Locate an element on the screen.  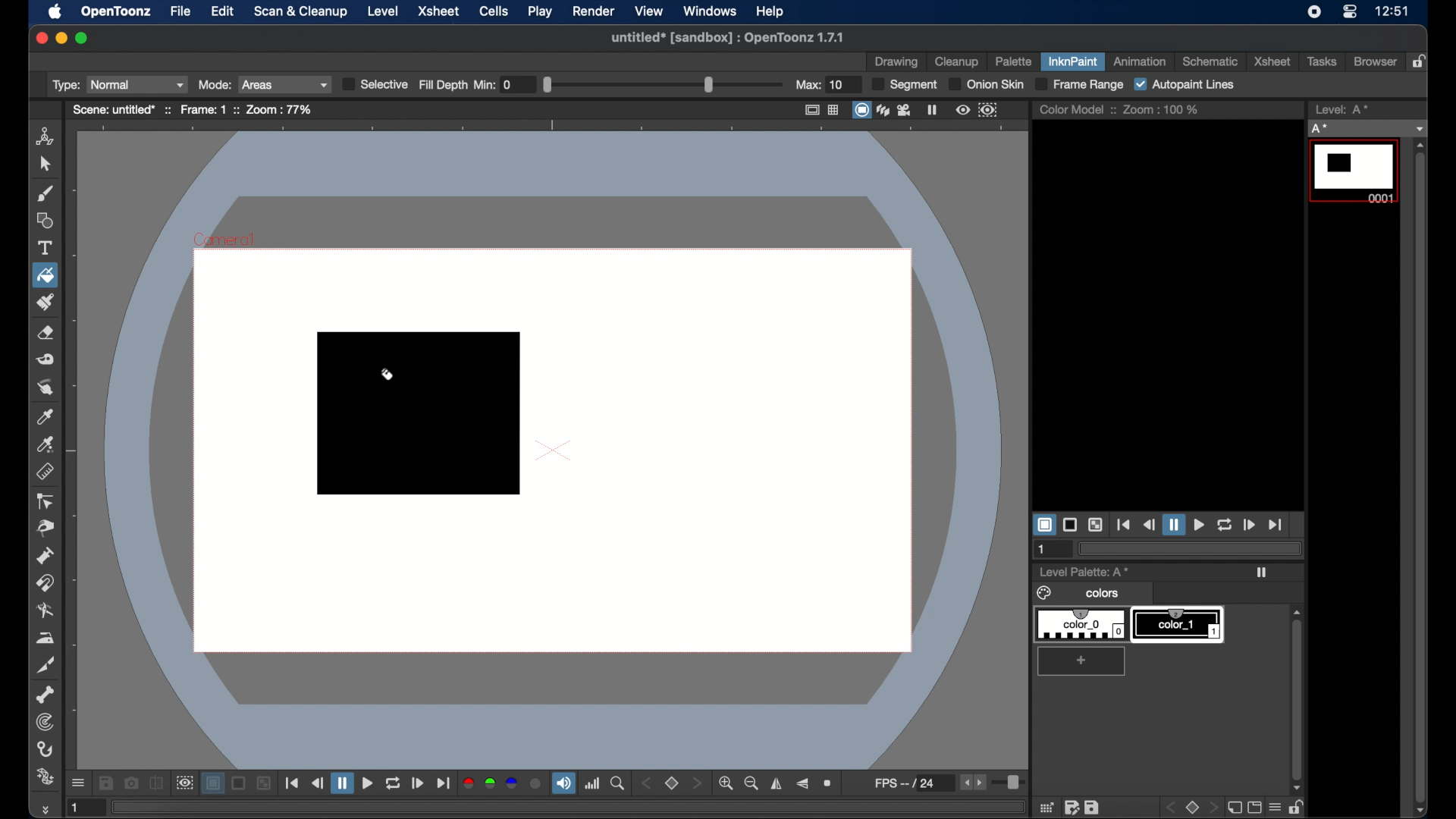
sub camera preview is located at coordinates (988, 110).